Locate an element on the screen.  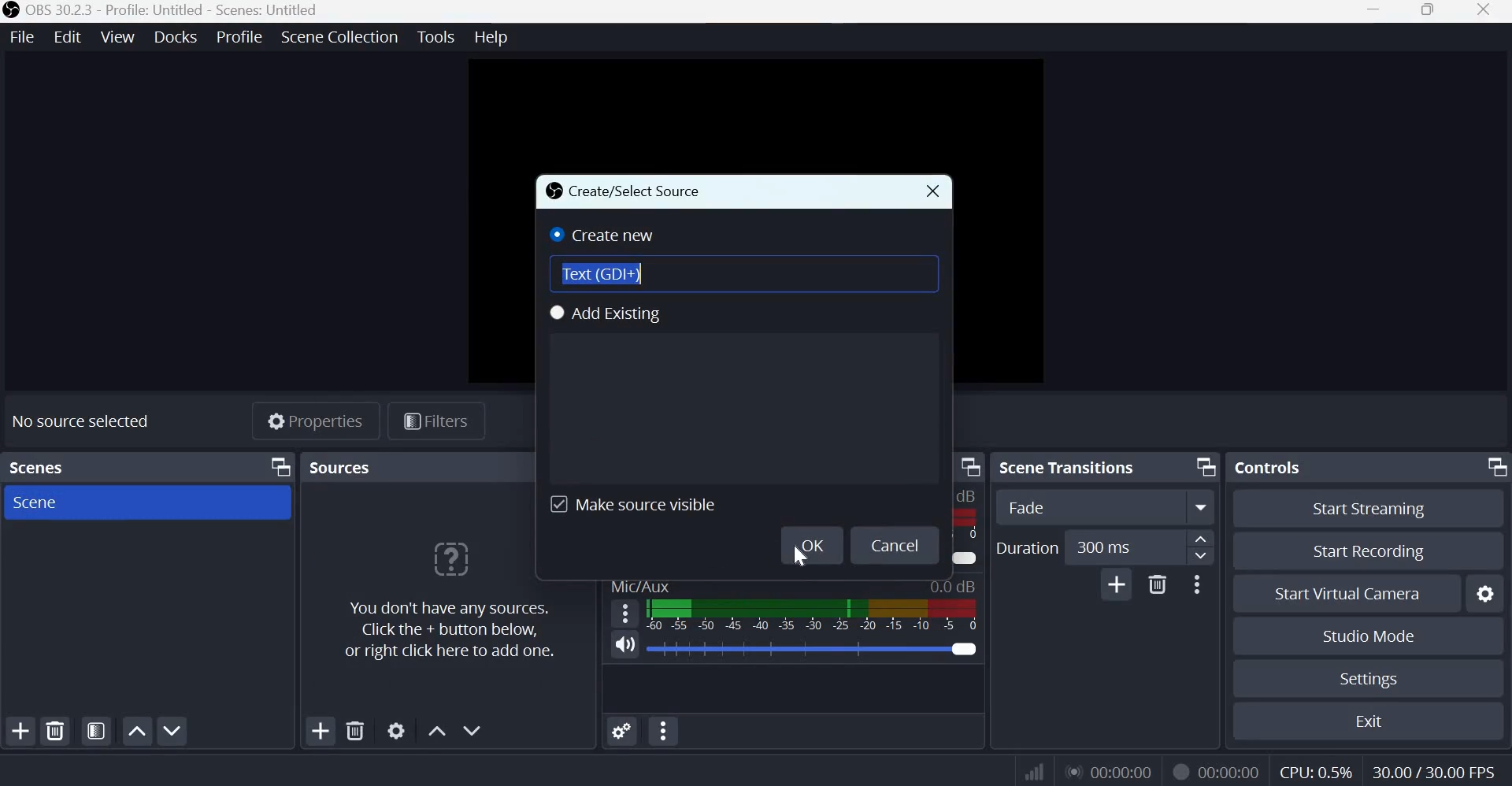
30.00/30.00 FPS is located at coordinates (1432, 771).